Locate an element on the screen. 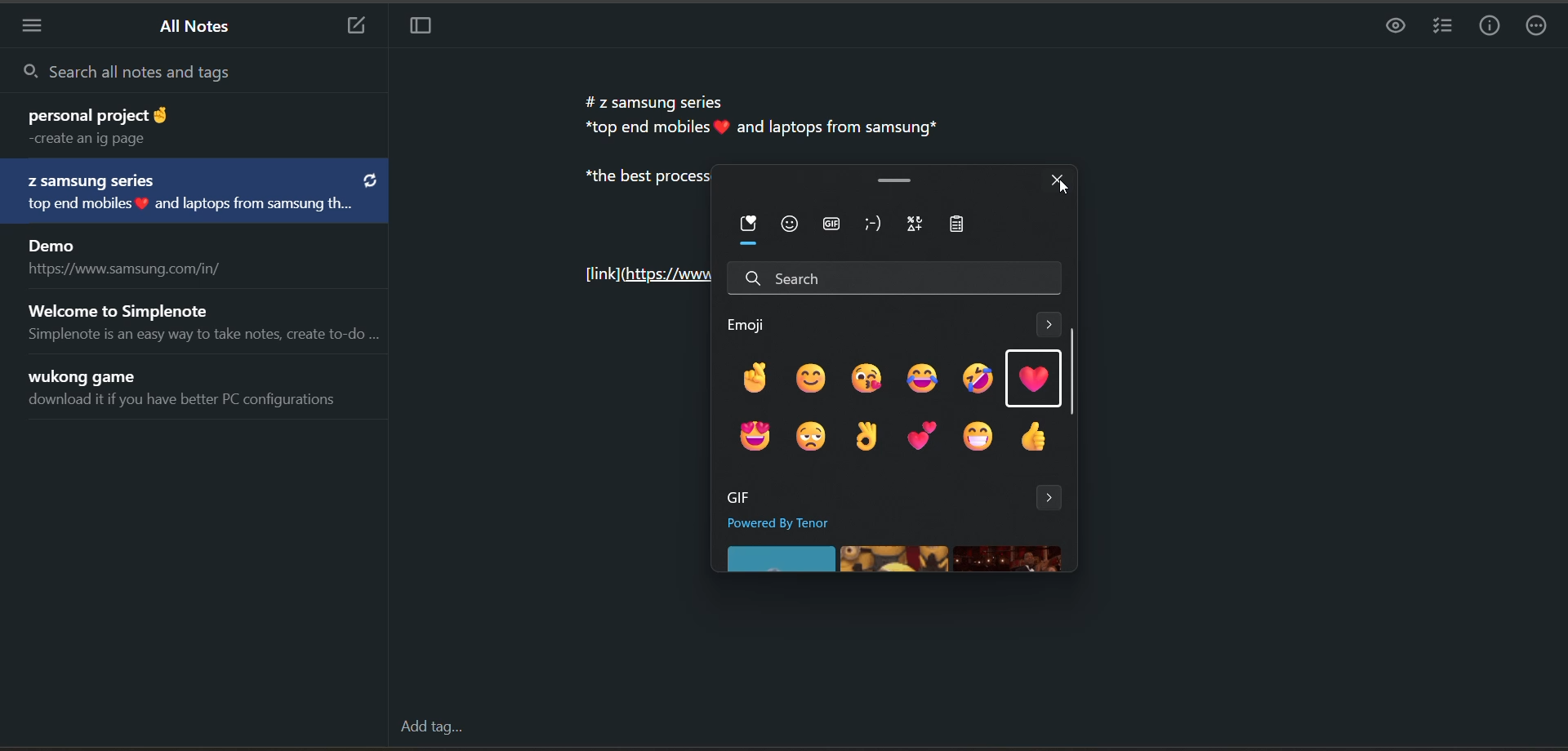  see more is located at coordinates (1049, 327).